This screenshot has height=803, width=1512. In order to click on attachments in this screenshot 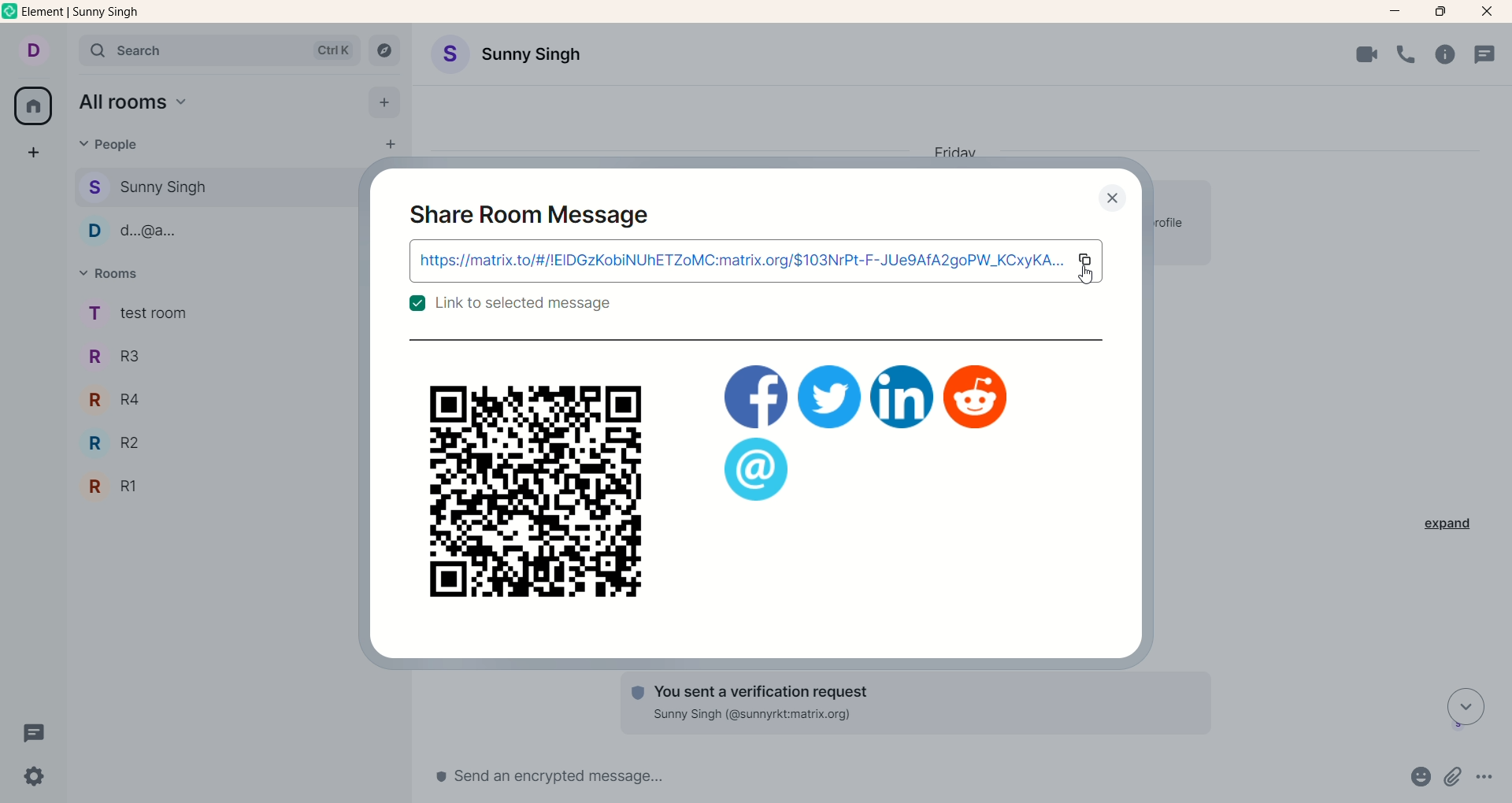, I will do `click(1455, 778)`.